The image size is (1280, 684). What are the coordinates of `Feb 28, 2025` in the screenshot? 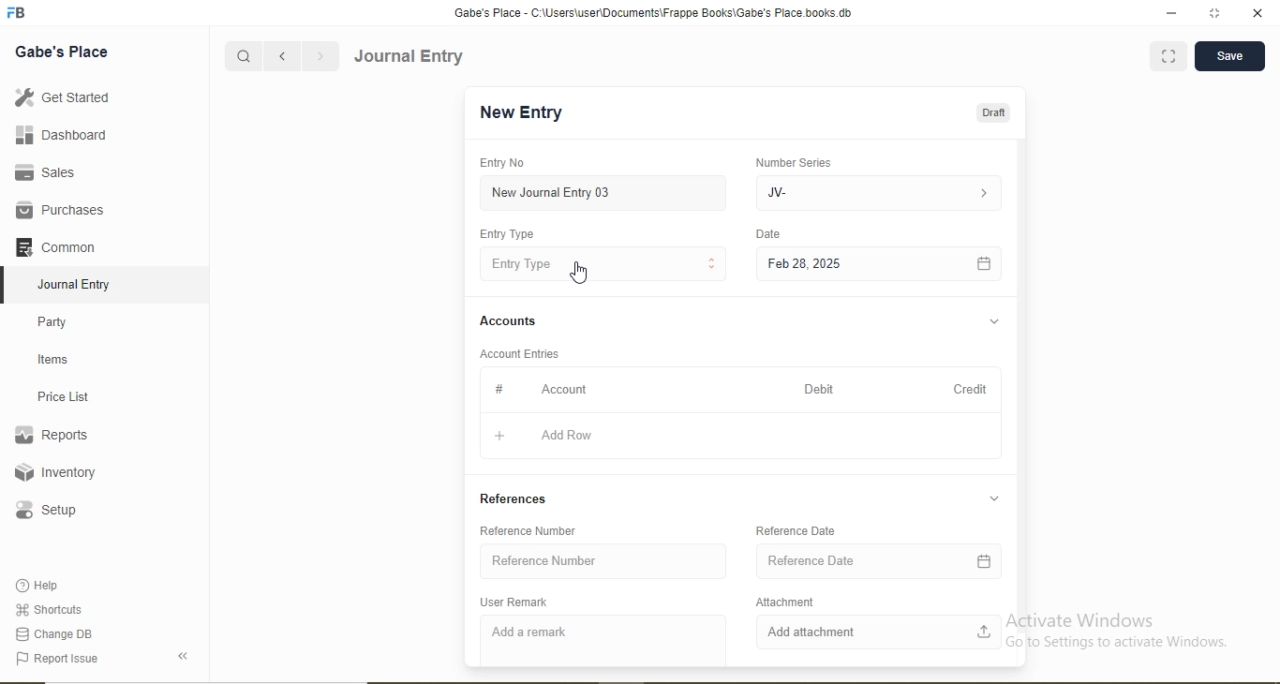 It's located at (804, 263).